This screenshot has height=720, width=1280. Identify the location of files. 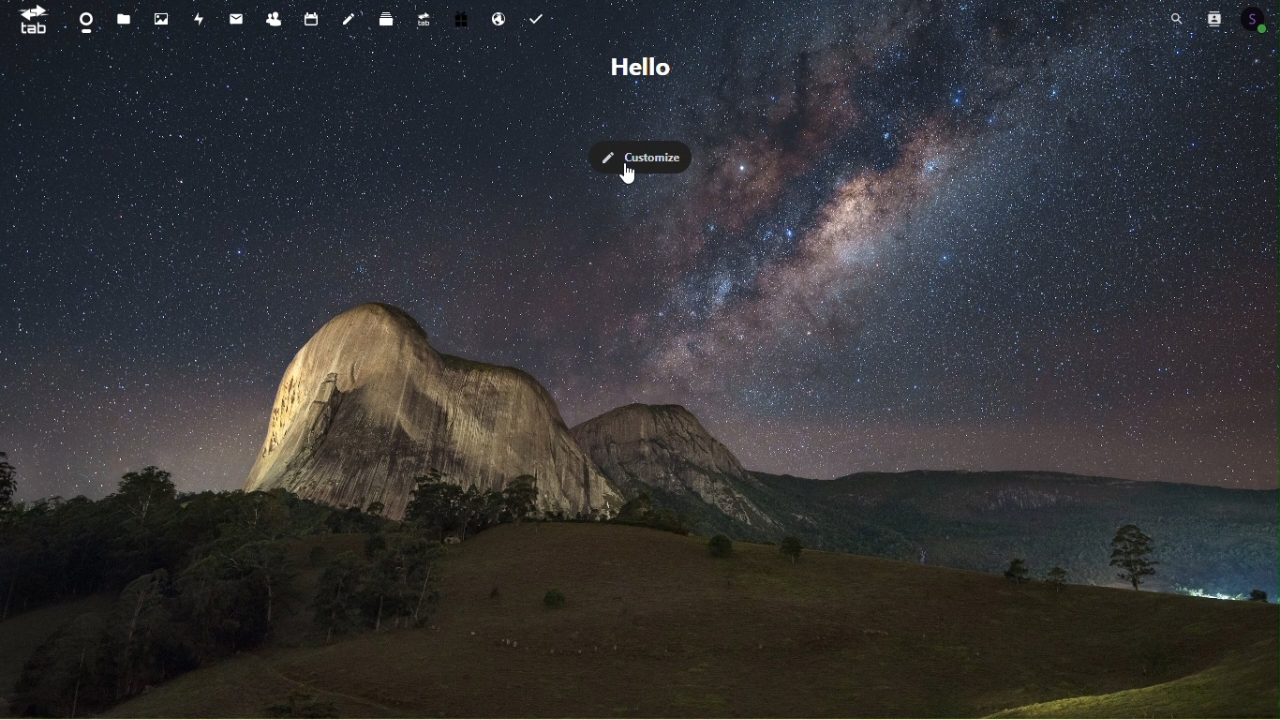
(123, 17).